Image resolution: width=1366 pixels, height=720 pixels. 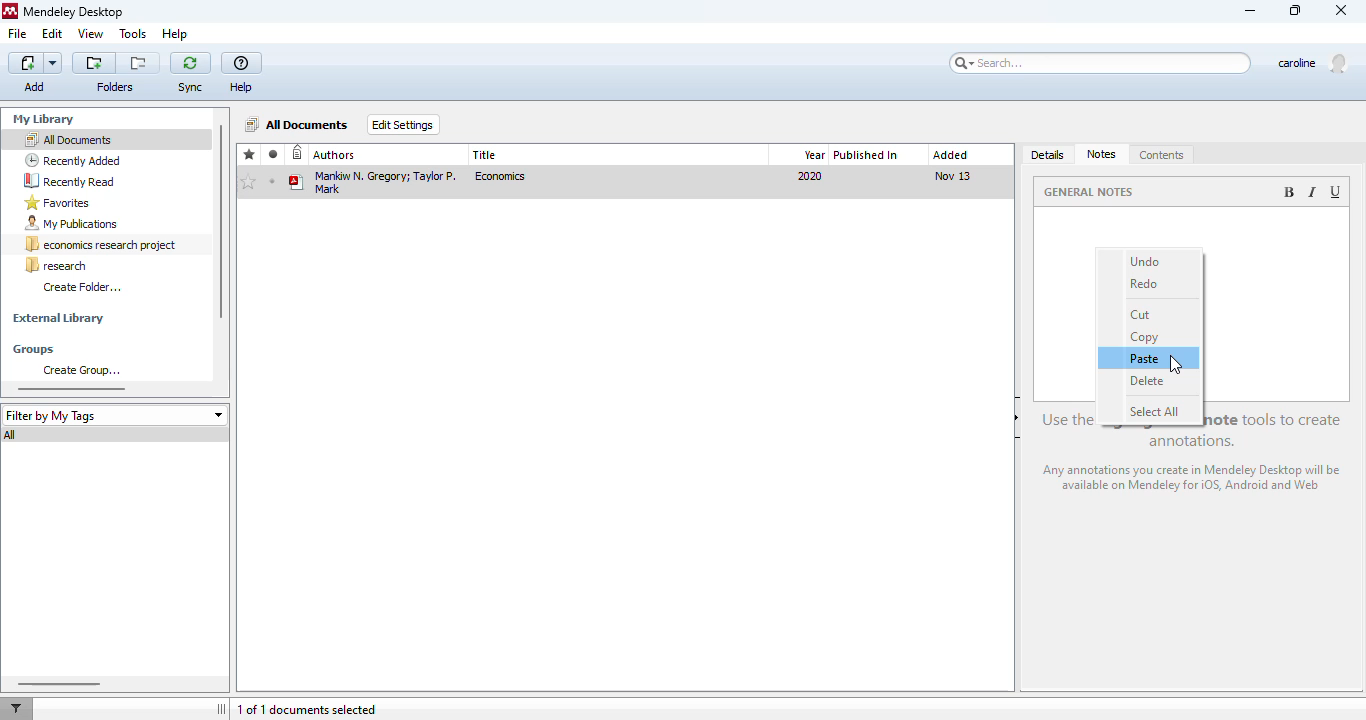 I want to click on help, so click(x=242, y=64).